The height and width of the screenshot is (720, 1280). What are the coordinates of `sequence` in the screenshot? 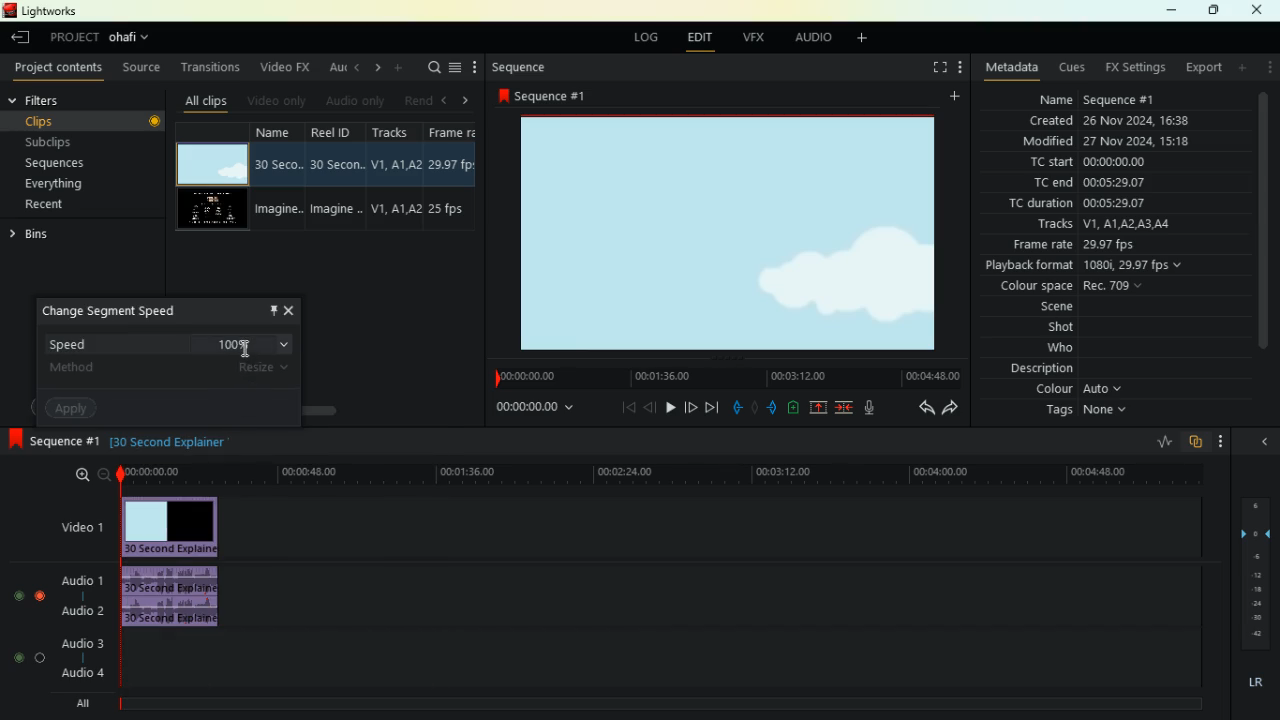 It's located at (533, 68).